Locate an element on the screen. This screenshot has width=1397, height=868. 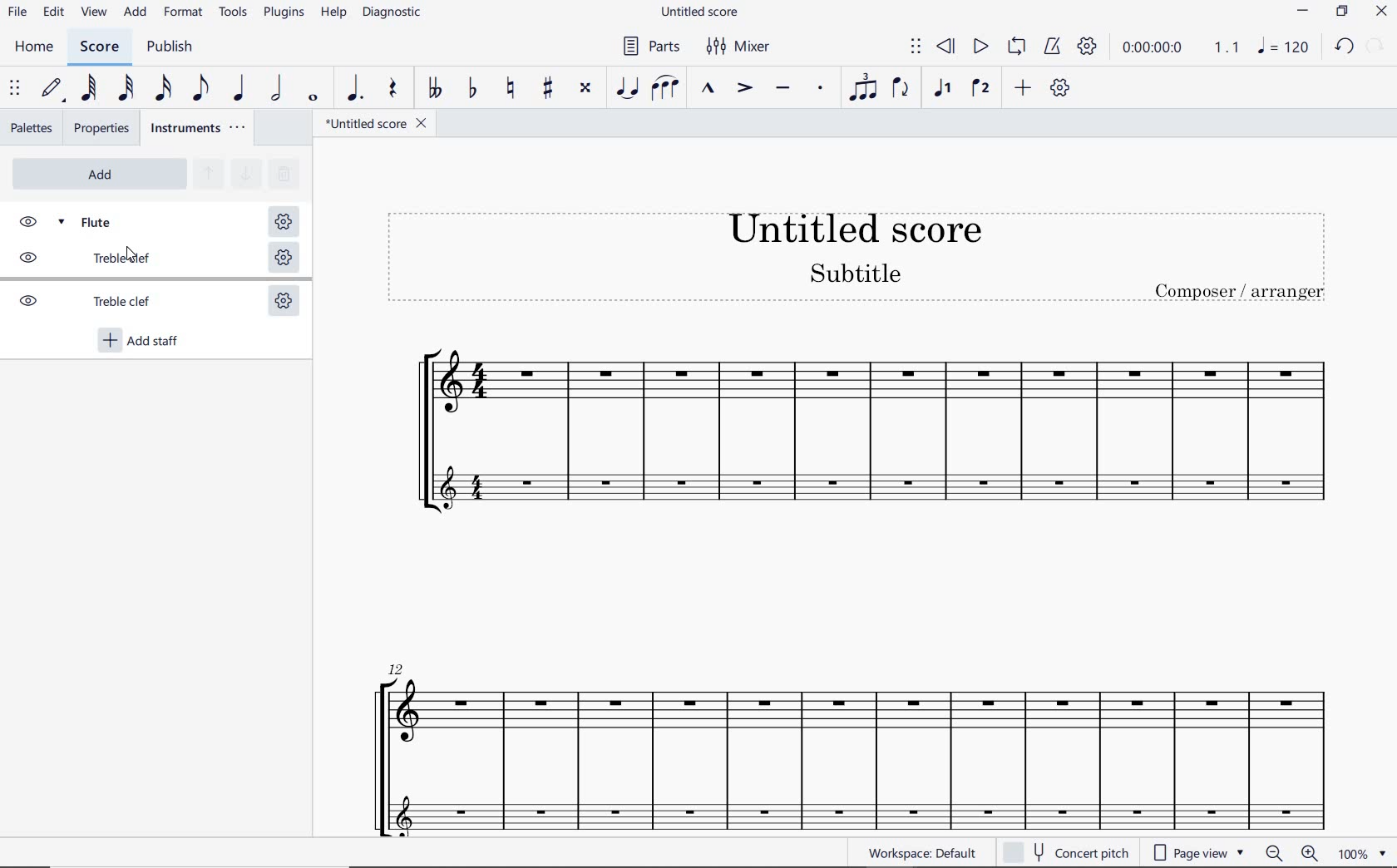
add staff is located at coordinates (141, 342).